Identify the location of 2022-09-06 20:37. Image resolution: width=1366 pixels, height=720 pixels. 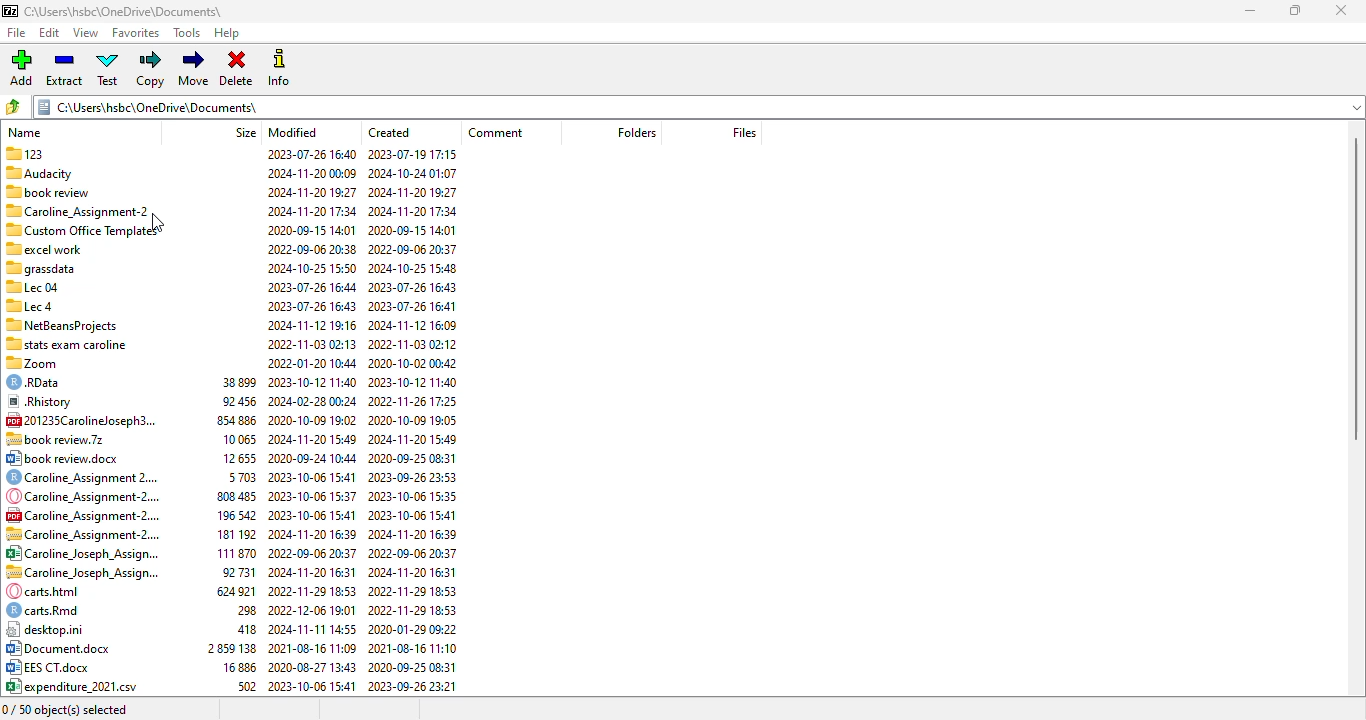
(410, 553).